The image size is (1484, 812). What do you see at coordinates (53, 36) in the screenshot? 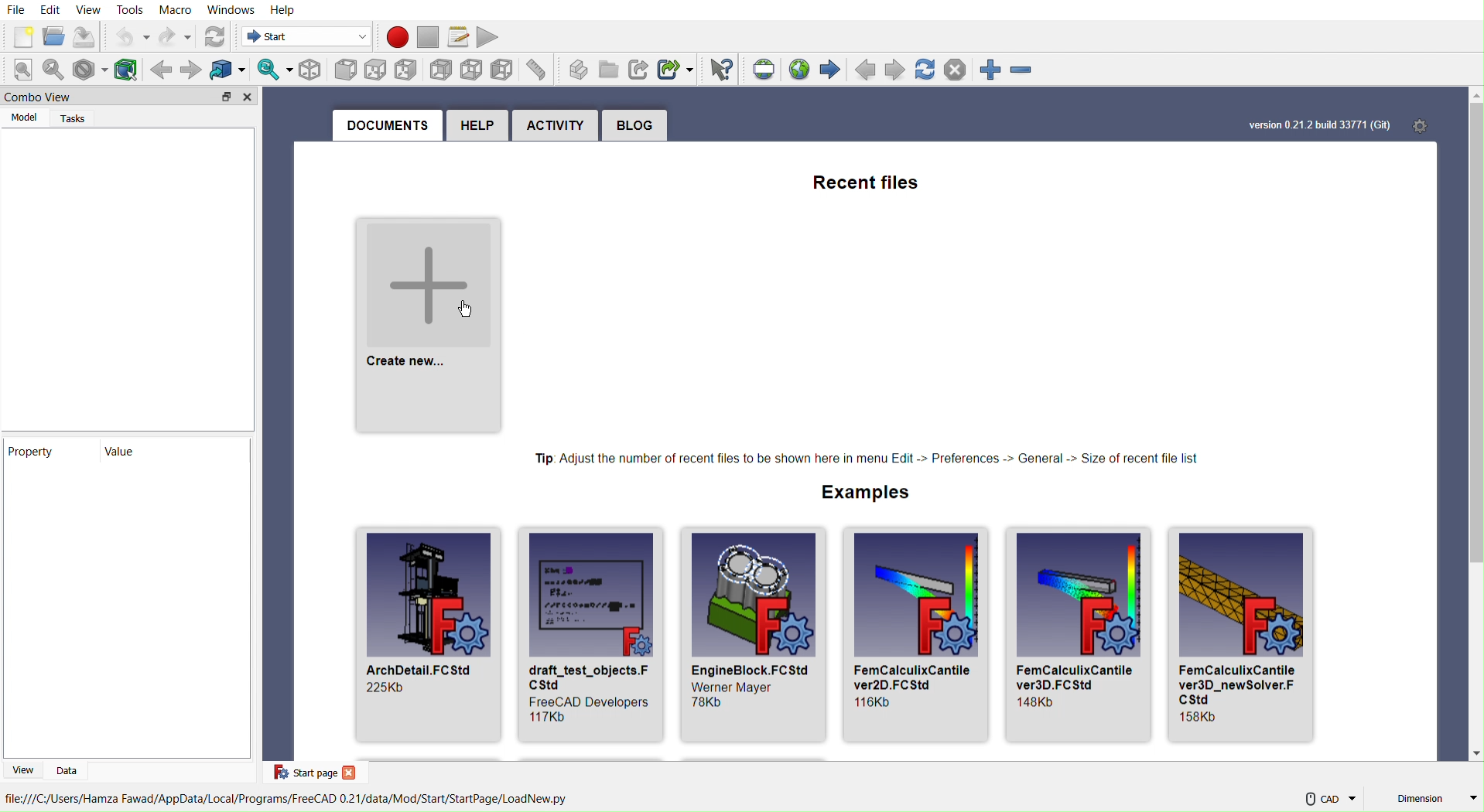
I see `Open a document` at bounding box center [53, 36].